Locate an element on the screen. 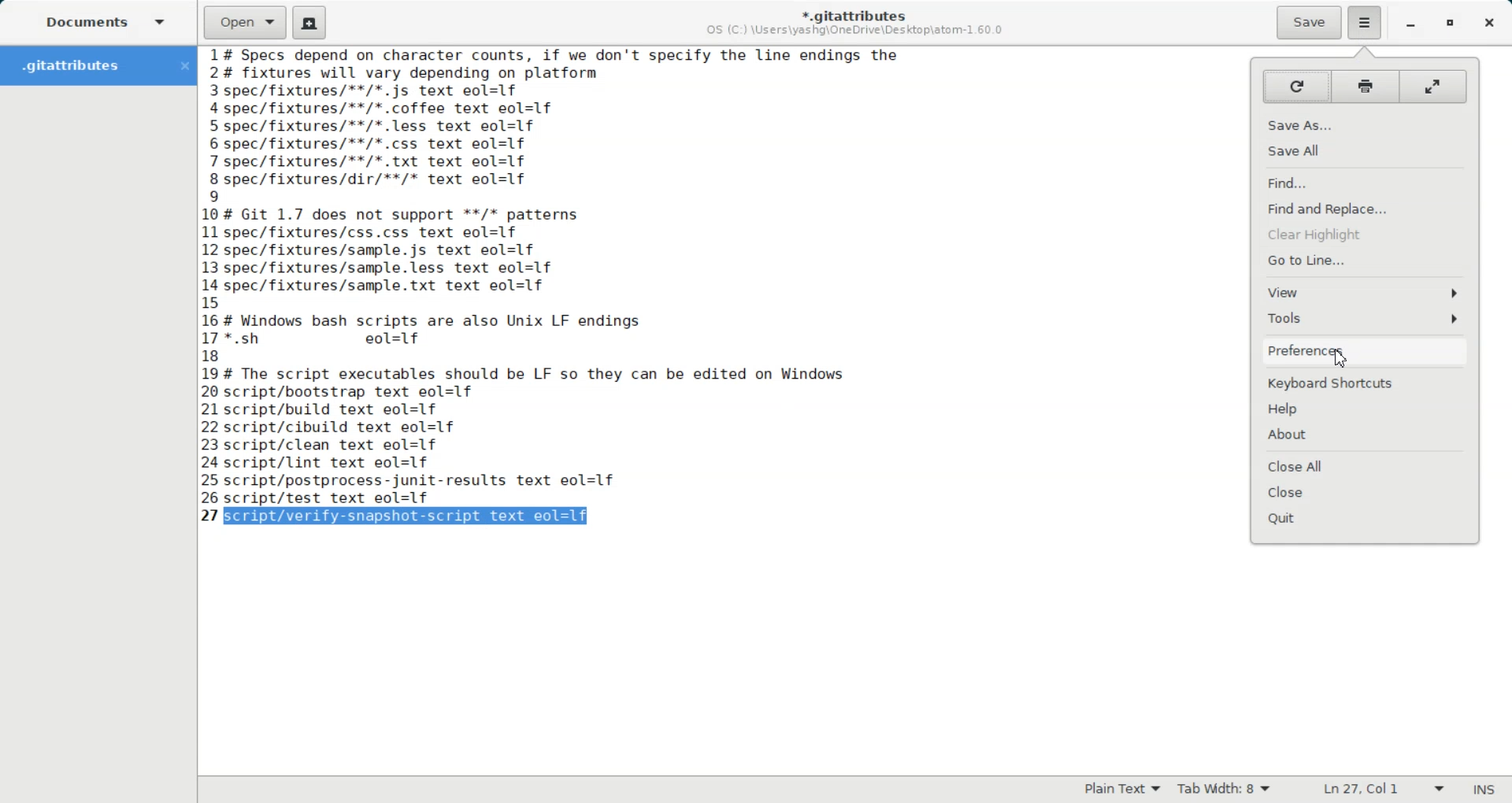 Image resolution: width=1512 pixels, height=803 pixels. Create a new document is located at coordinates (310, 23).